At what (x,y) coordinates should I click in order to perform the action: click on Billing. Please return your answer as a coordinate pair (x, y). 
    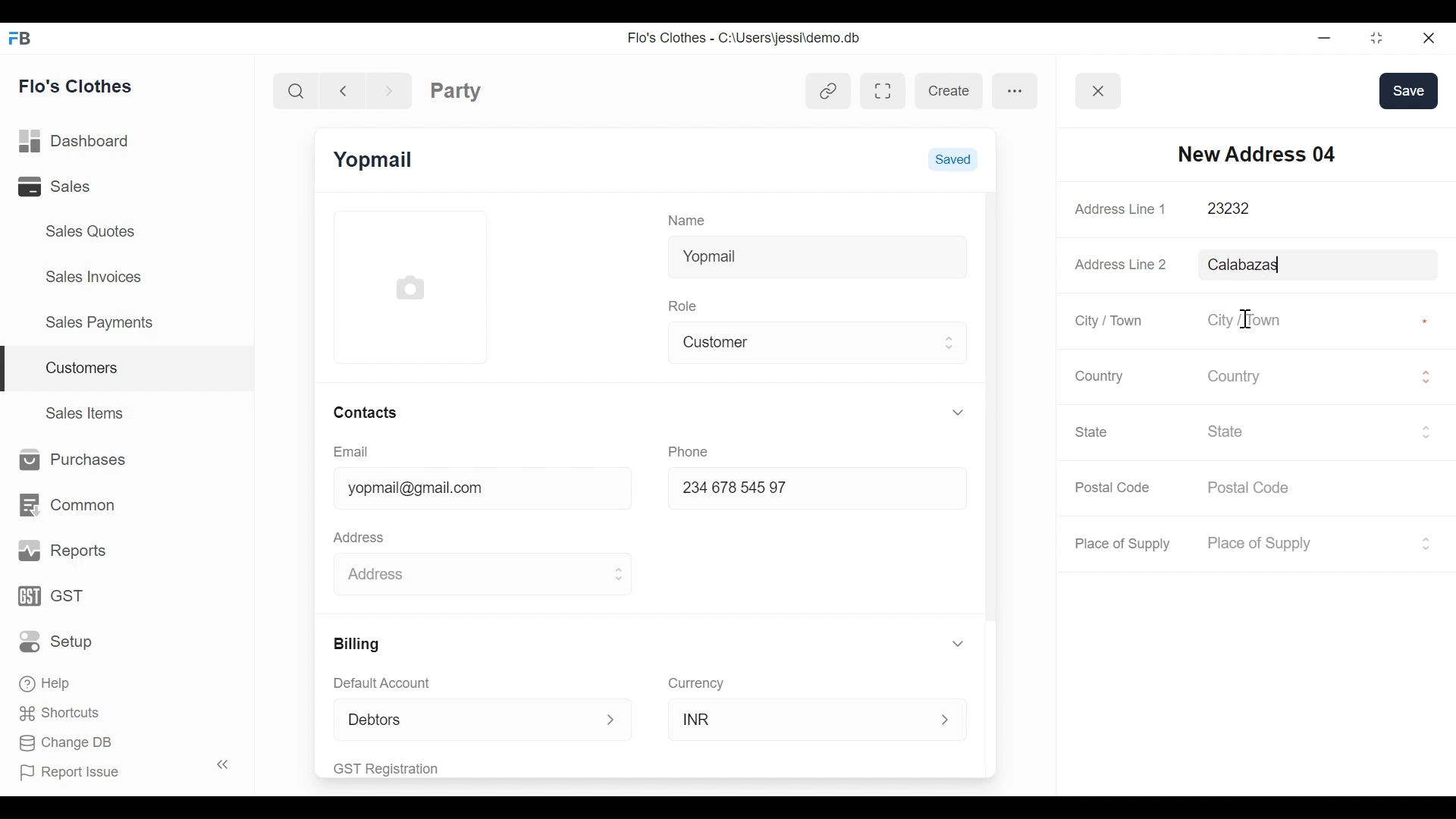
    Looking at the image, I should click on (355, 644).